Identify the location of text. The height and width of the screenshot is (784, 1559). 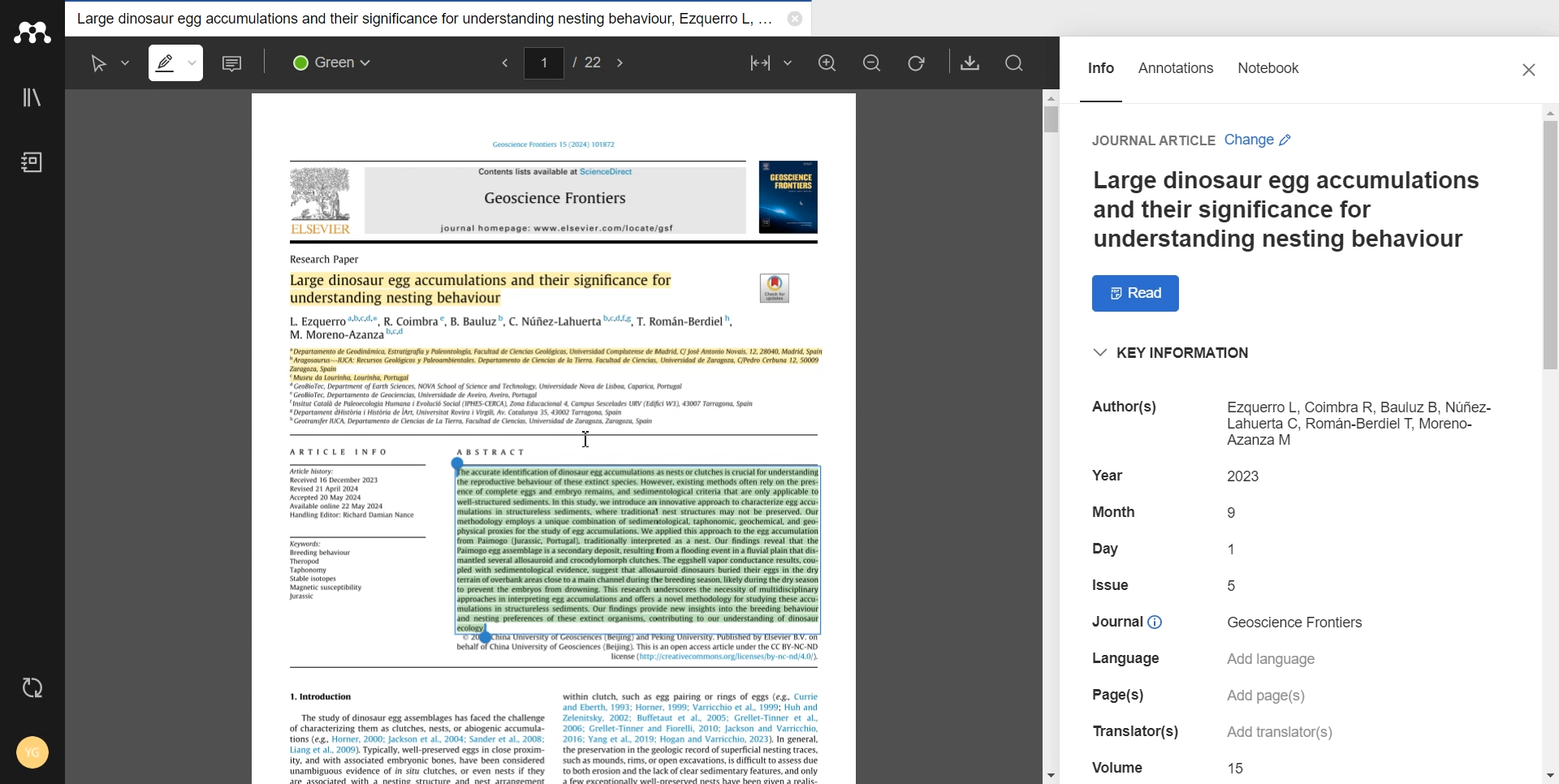
(1113, 549).